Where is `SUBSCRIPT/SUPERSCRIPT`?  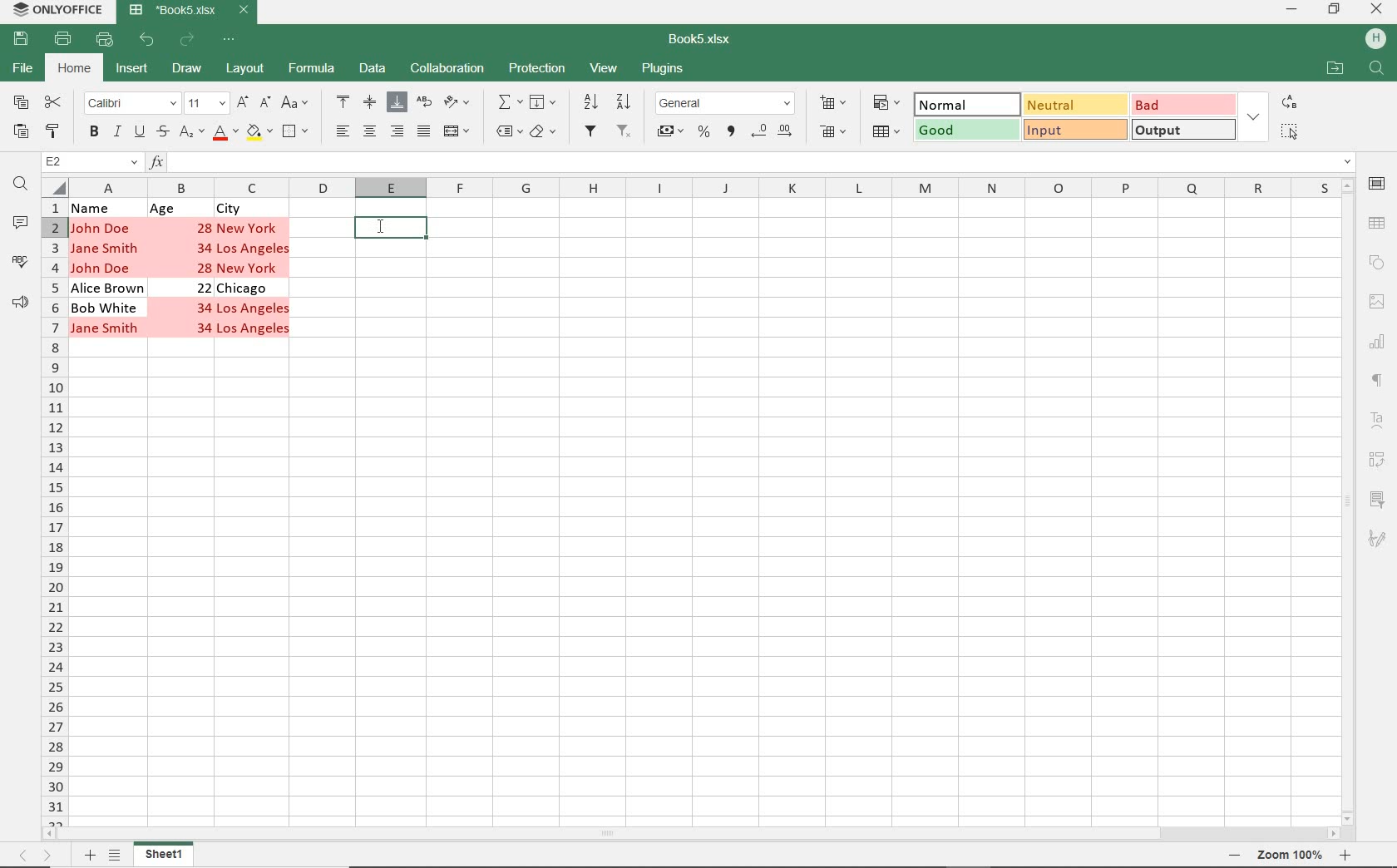 SUBSCRIPT/SUPERSCRIPT is located at coordinates (191, 134).